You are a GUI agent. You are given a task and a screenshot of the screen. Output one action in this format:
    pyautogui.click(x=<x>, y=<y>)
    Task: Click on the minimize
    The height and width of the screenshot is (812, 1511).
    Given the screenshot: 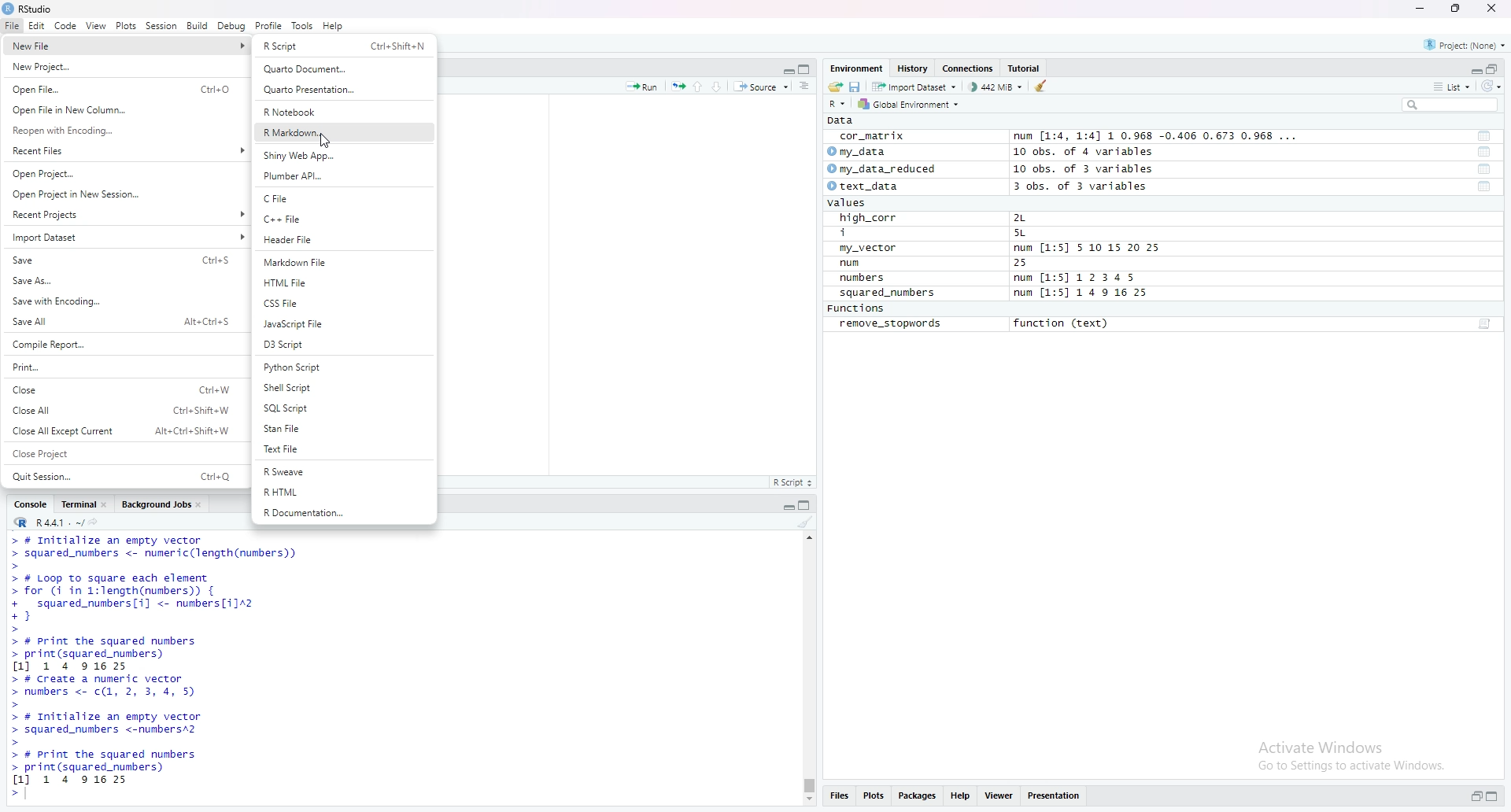 What is the action you would take?
    pyautogui.click(x=1418, y=9)
    